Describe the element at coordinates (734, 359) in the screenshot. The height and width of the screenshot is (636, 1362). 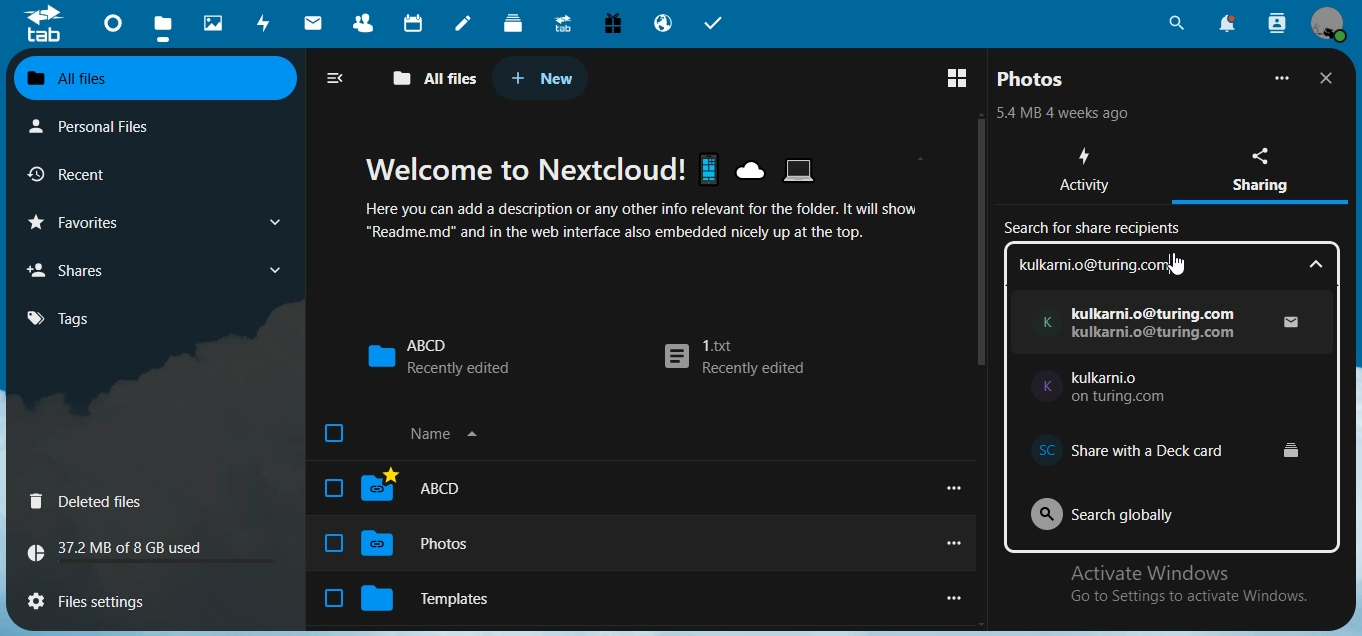
I see `1.txt` at that location.